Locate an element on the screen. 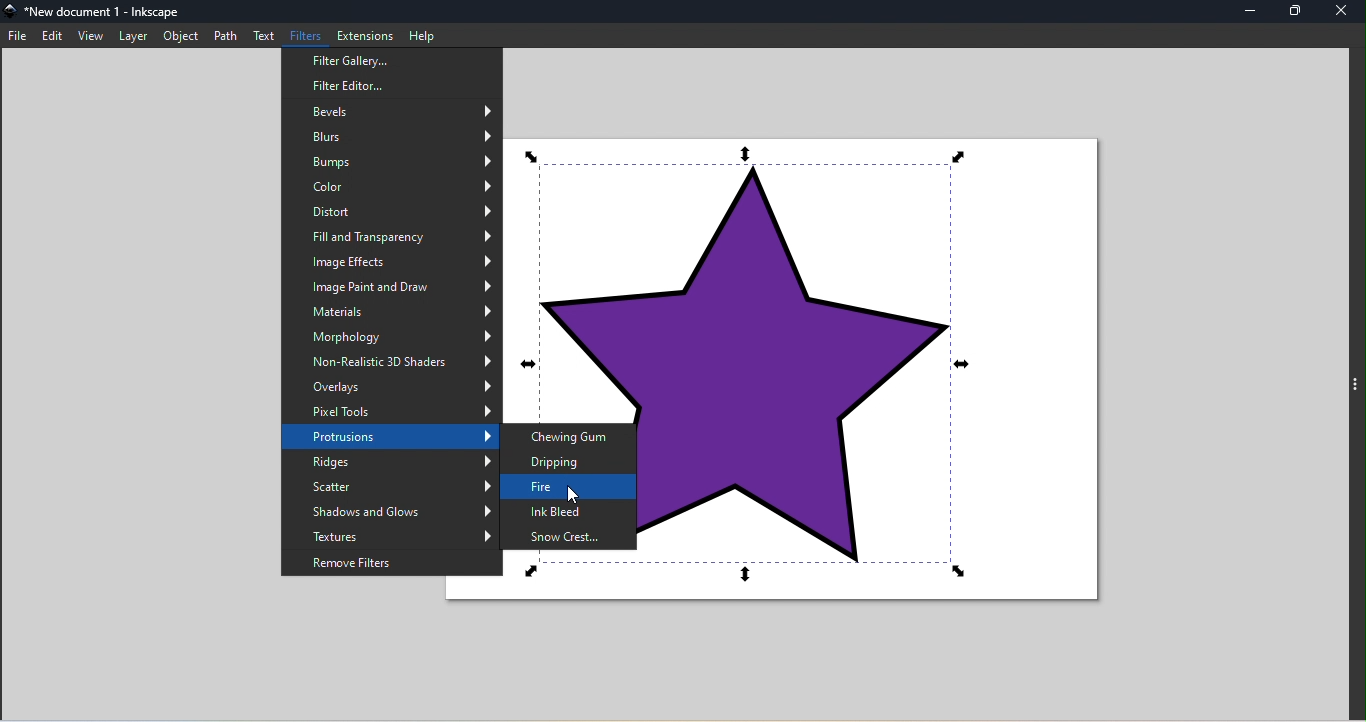 The image size is (1366, 722). Maximize is located at coordinates (1297, 13).